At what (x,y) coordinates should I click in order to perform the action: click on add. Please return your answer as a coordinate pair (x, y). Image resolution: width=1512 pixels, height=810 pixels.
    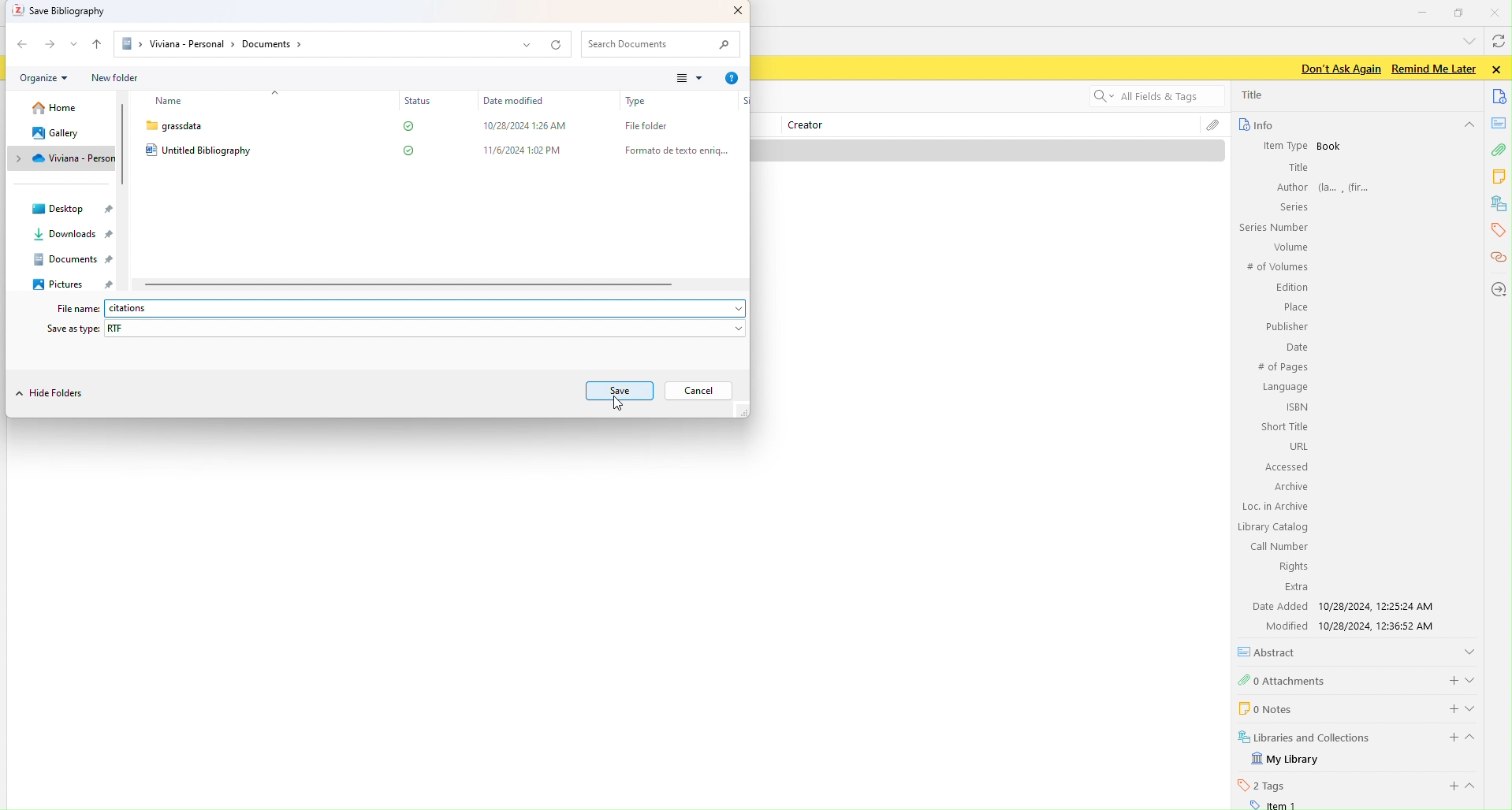
    Looking at the image, I should click on (1451, 786).